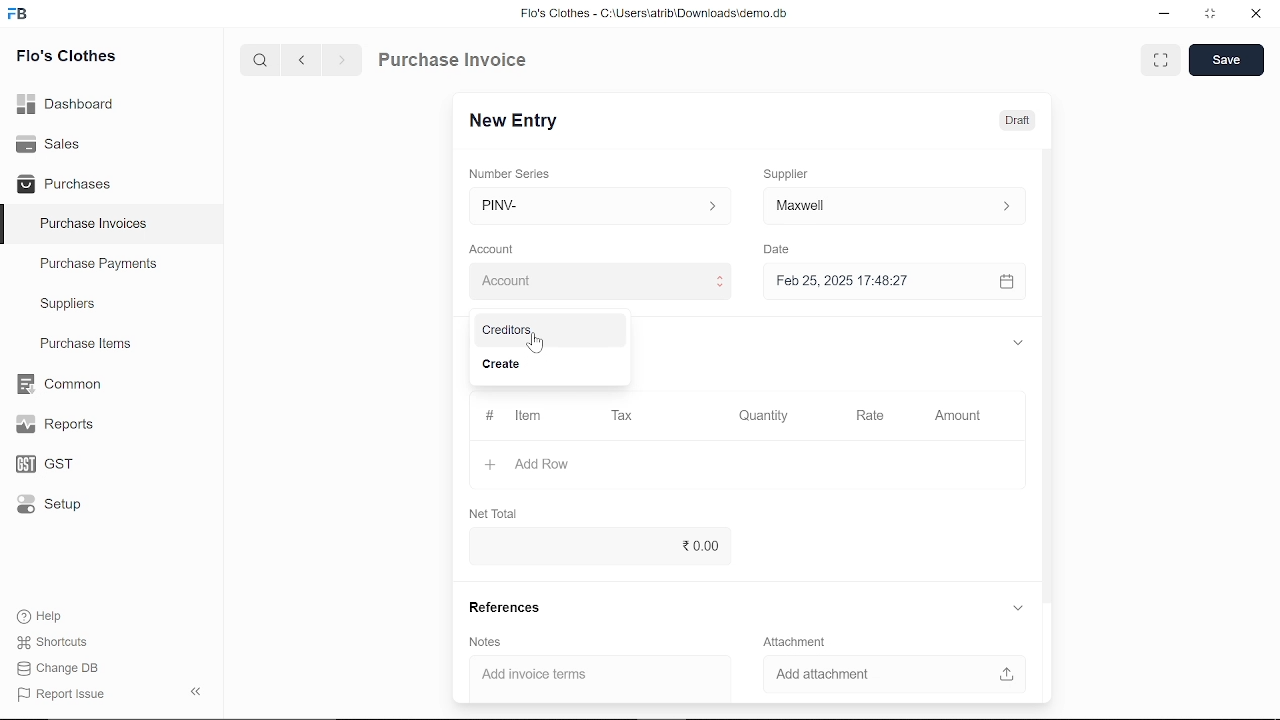 The height and width of the screenshot is (720, 1280). Describe the element at coordinates (782, 250) in the screenshot. I see `Date` at that location.